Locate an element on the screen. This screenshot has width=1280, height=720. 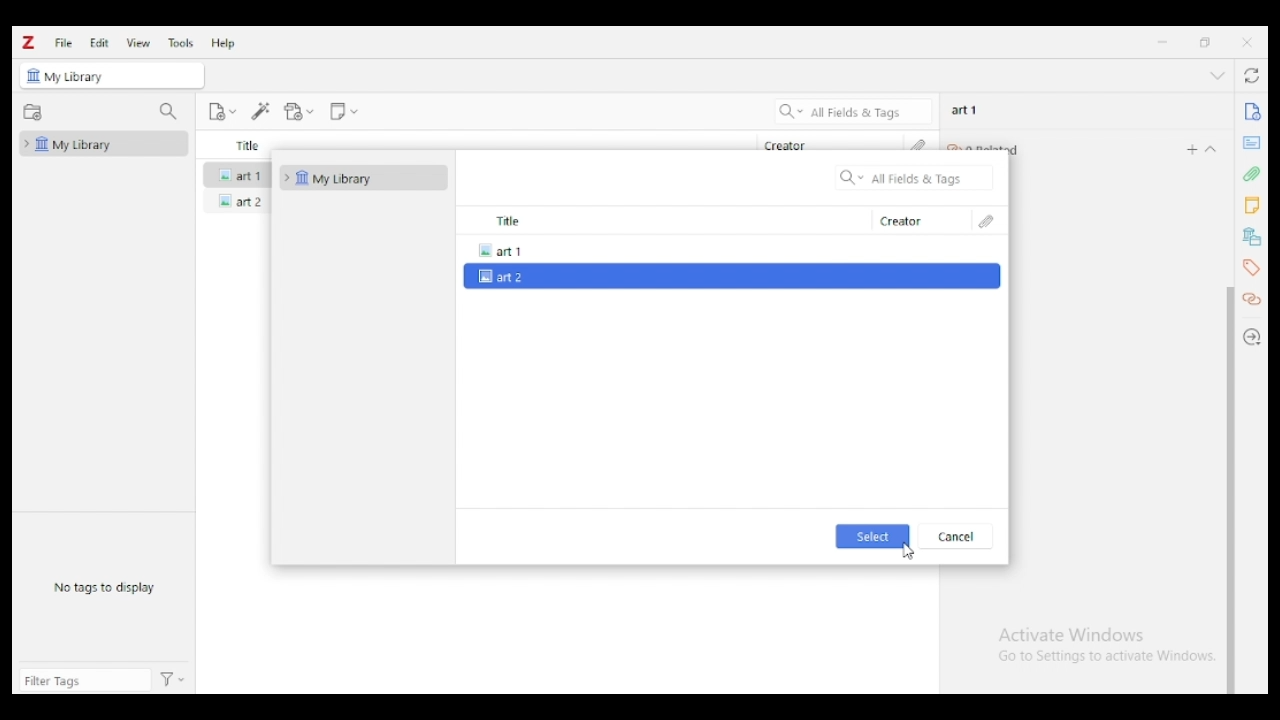
my library is located at coordinates (363, 178).